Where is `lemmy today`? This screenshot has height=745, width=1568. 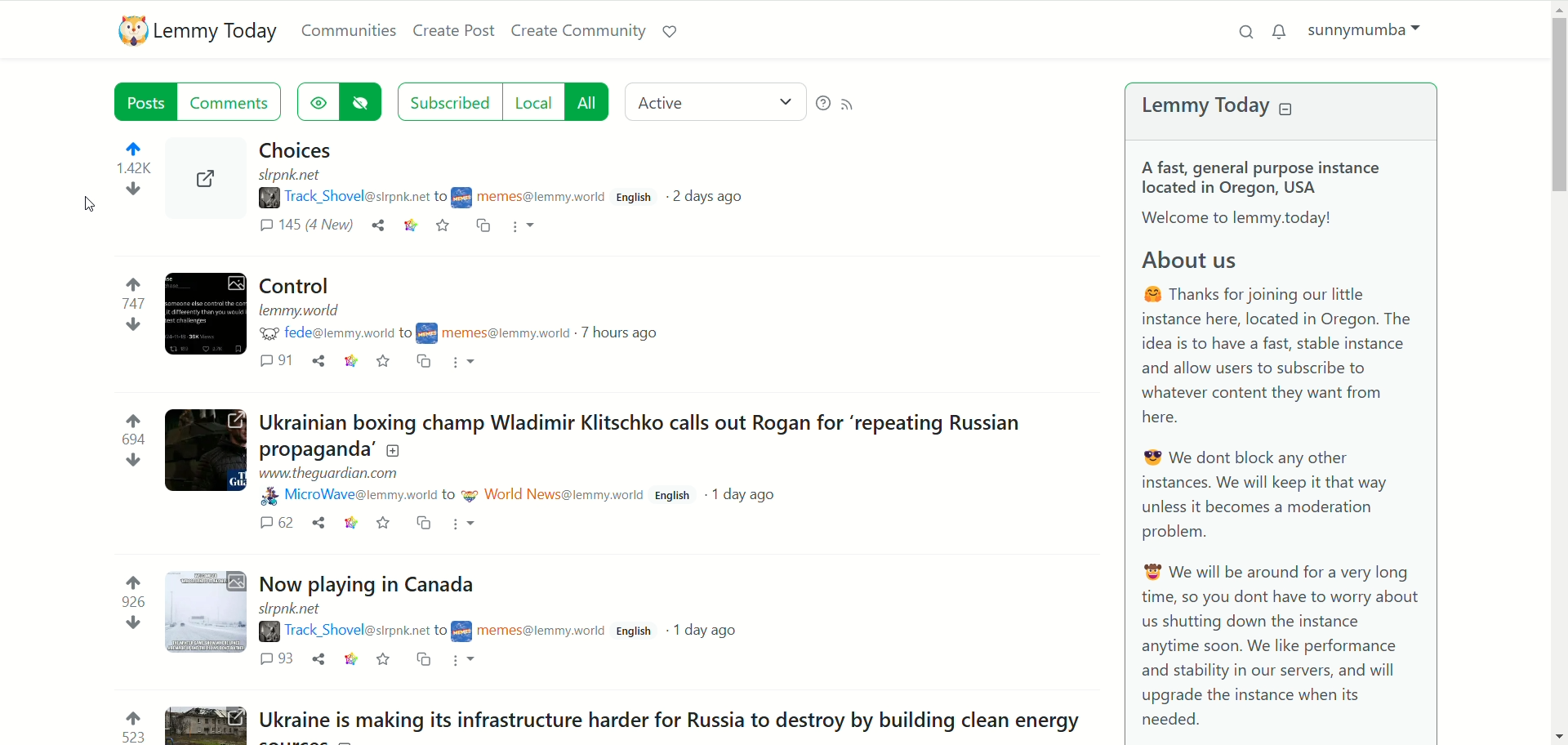 lemmy today is located at coordinates (1197, 108).